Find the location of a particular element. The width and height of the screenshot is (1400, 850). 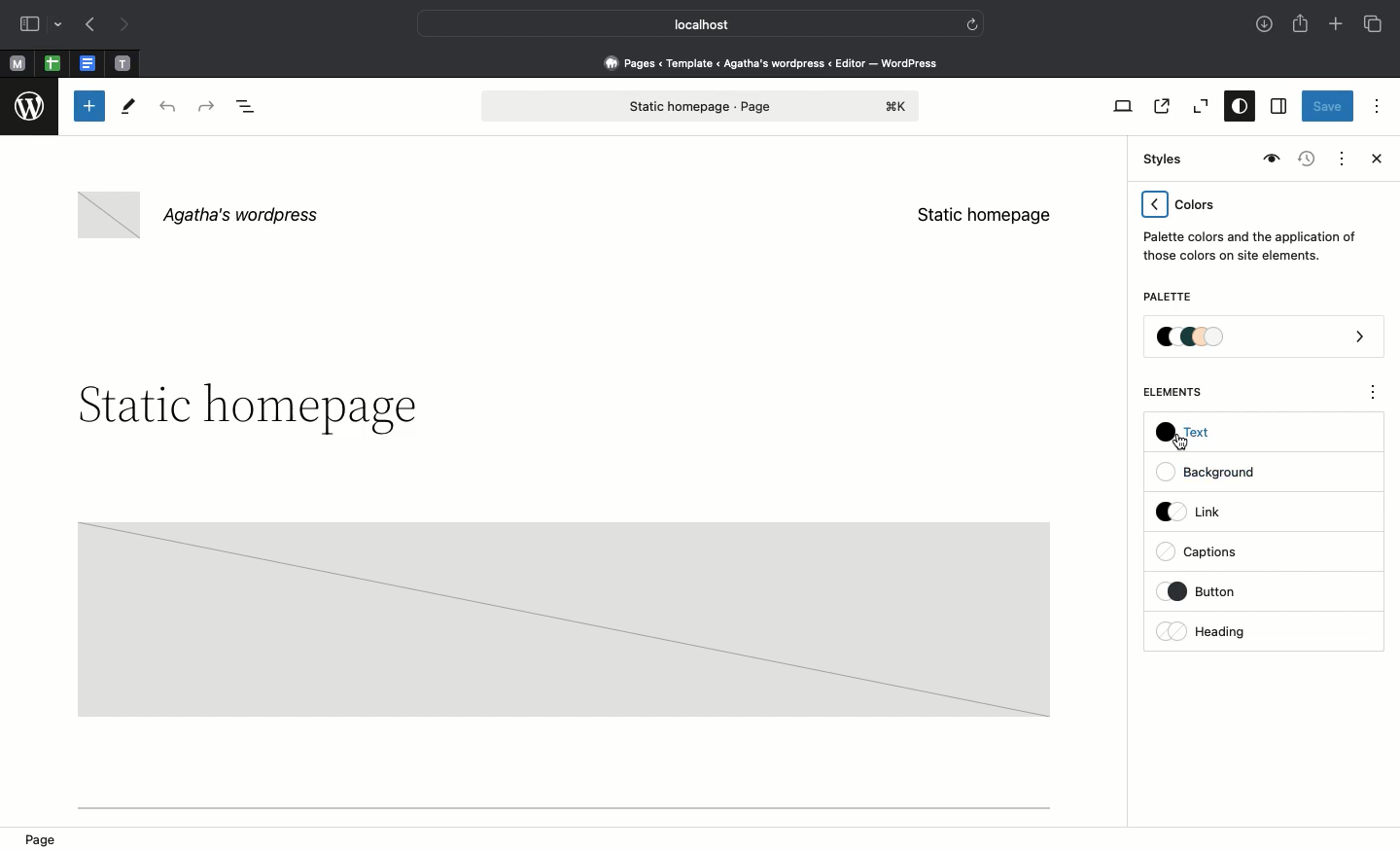

Redo is located at coordinates (209, 107).